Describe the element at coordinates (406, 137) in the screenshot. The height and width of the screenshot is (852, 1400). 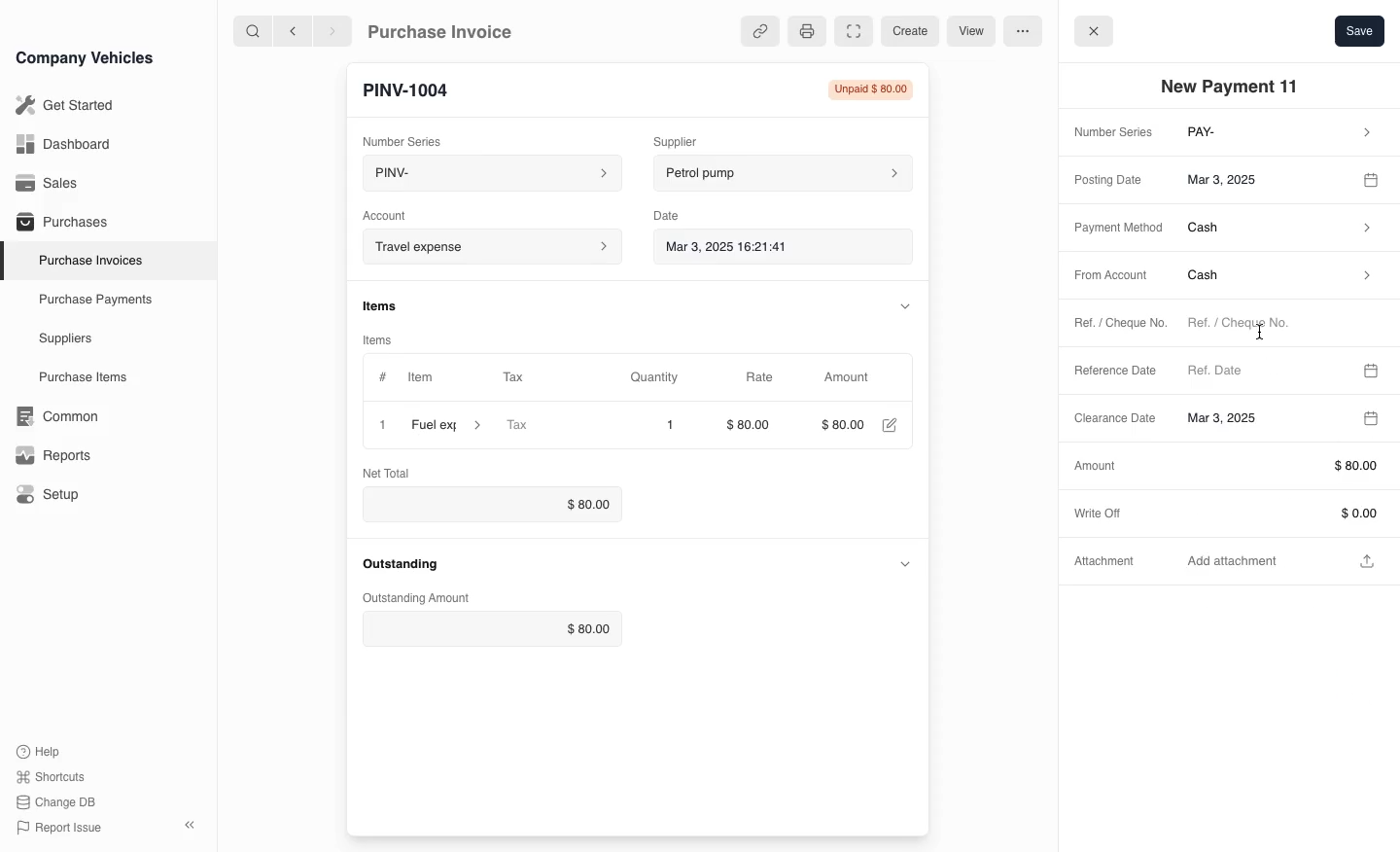
I see `Number Series` at that location.